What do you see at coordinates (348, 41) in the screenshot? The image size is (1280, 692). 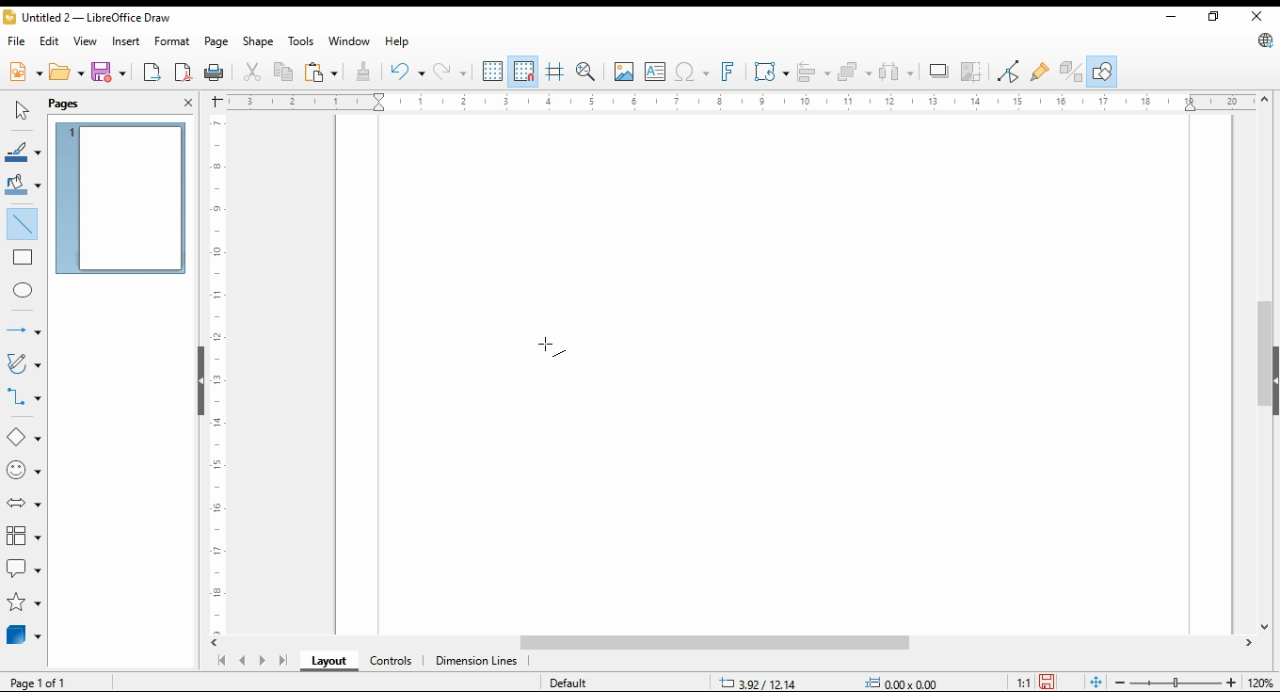 I see `window` at bounding box center [348, 41].